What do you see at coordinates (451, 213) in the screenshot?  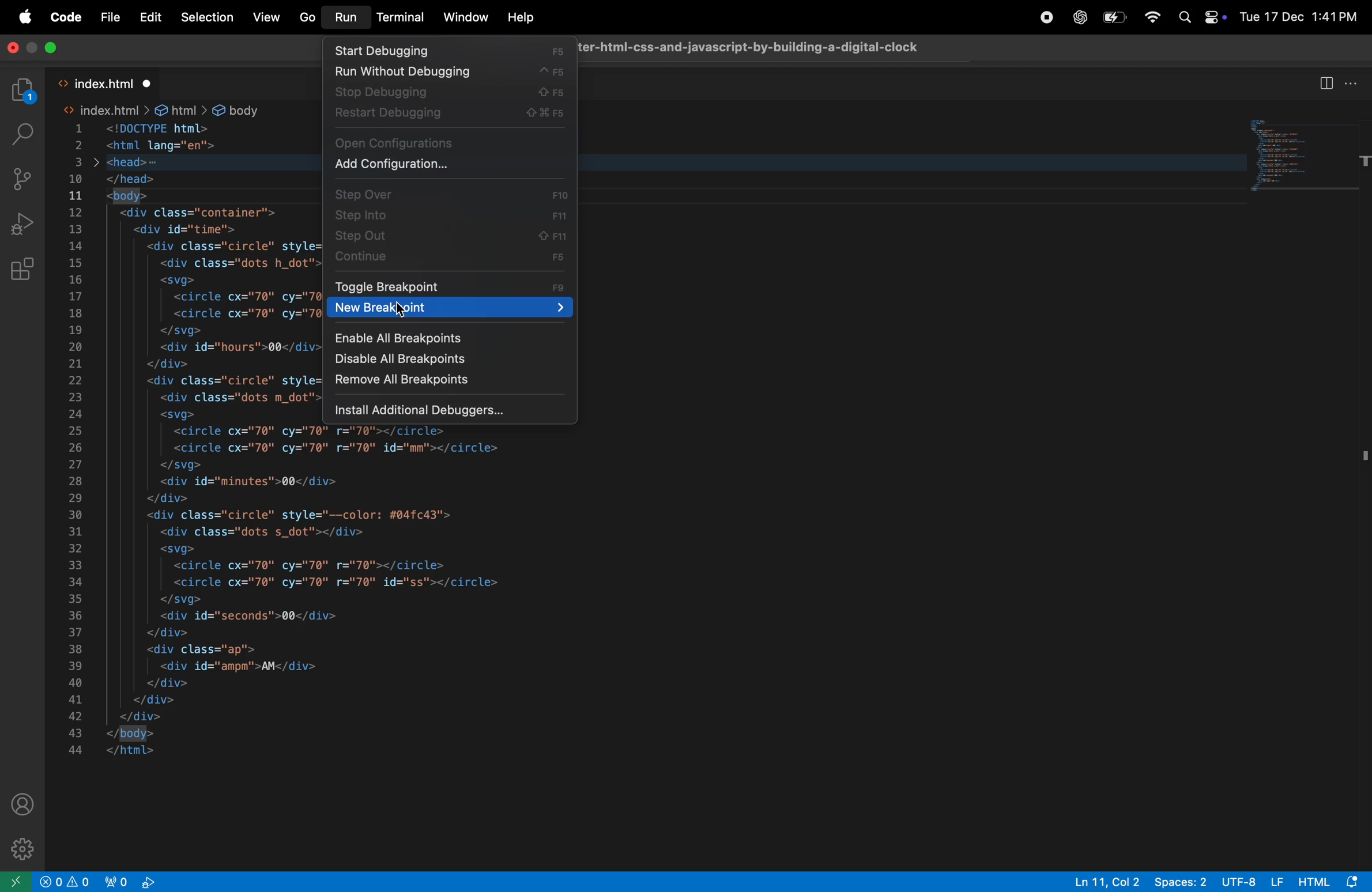 I see `step into` at bounding box center [451, 213].